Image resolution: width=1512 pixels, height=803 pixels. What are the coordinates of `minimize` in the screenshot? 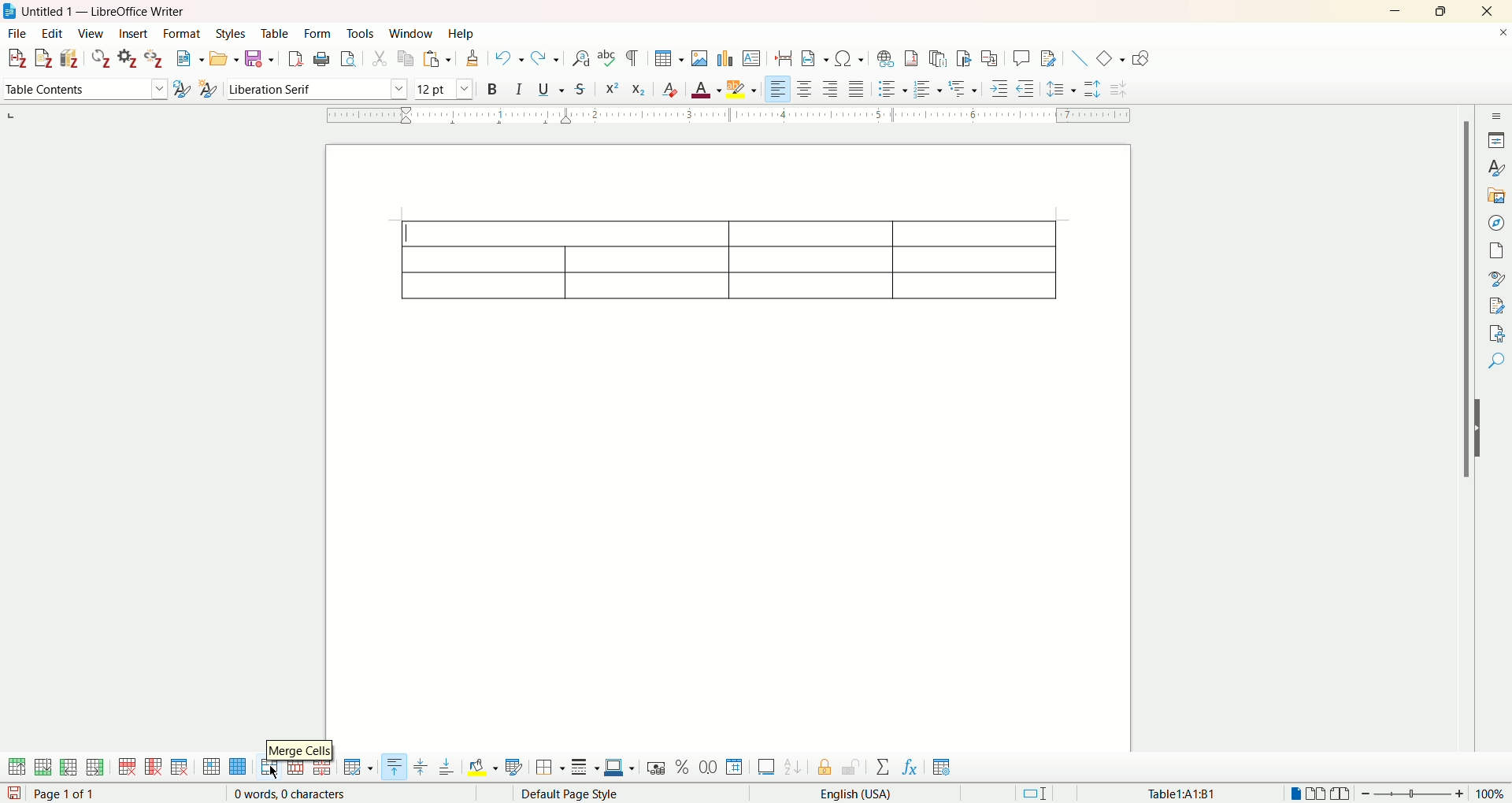 It's located at (1389, 13).